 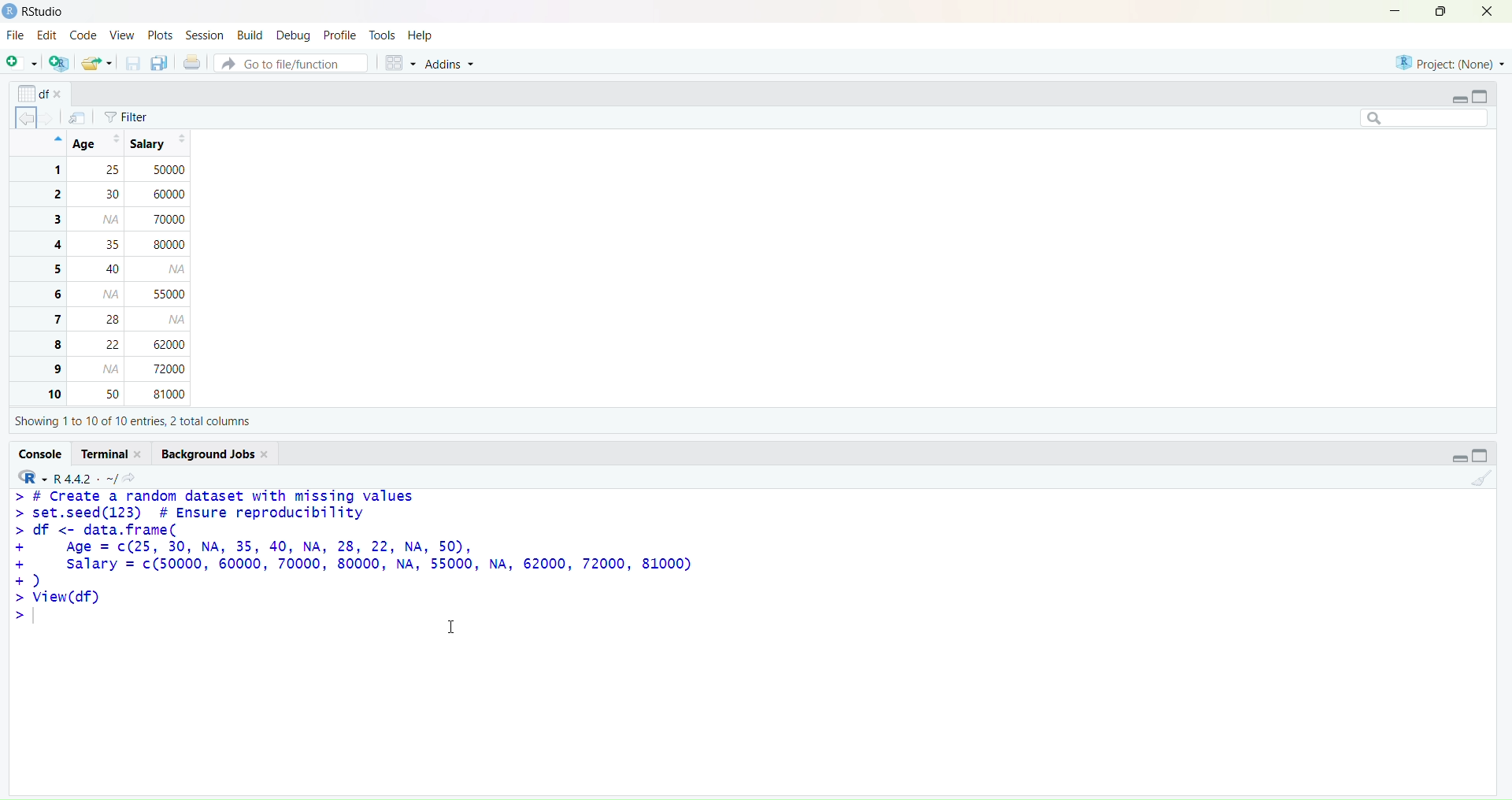 What do you see at coordinates (132, 64) in the screenshot?
I see `save current documet` at bounding box center [132, 64].